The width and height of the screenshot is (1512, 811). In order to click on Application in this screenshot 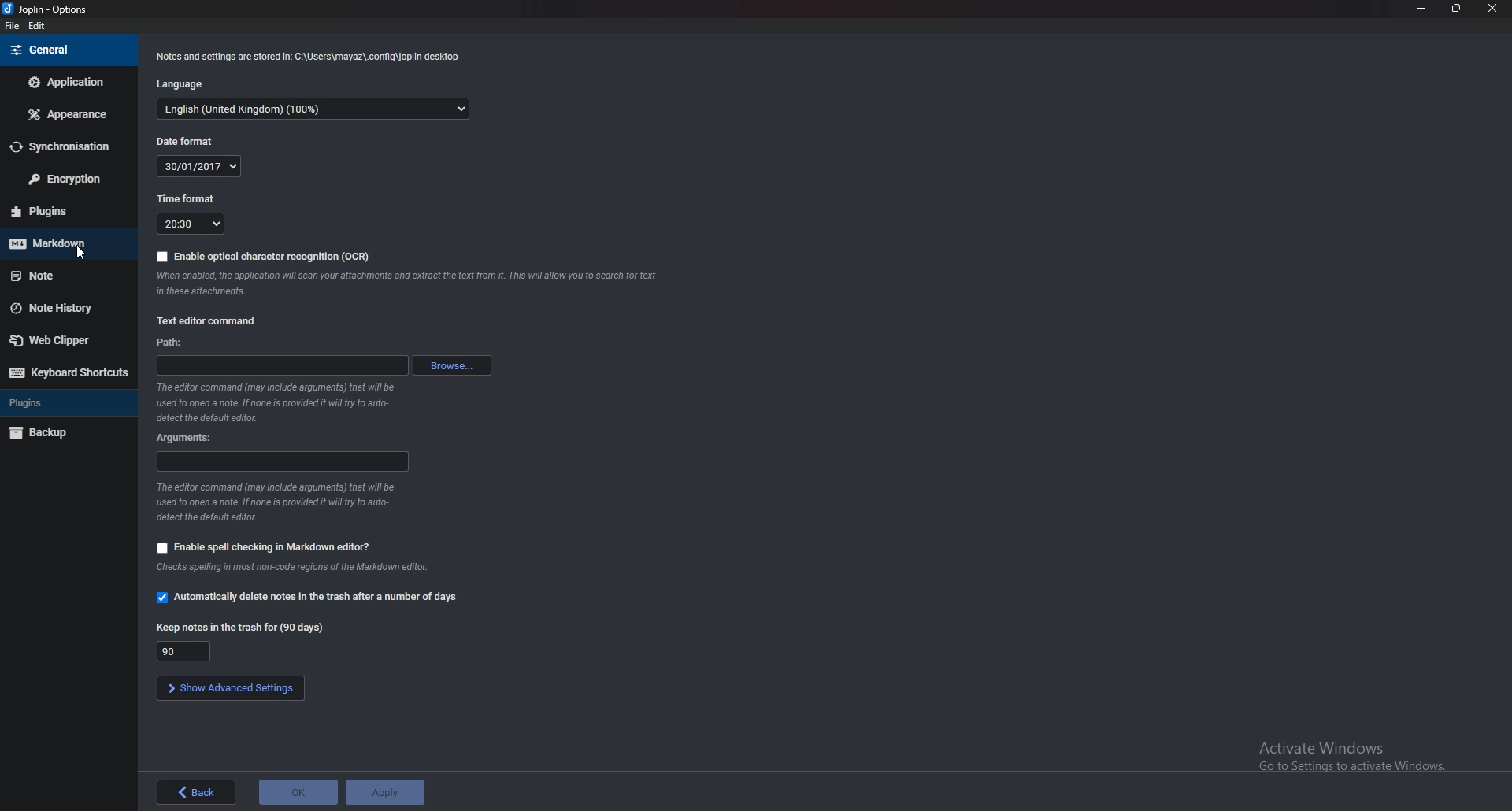, I will do `click(69, 83)`.